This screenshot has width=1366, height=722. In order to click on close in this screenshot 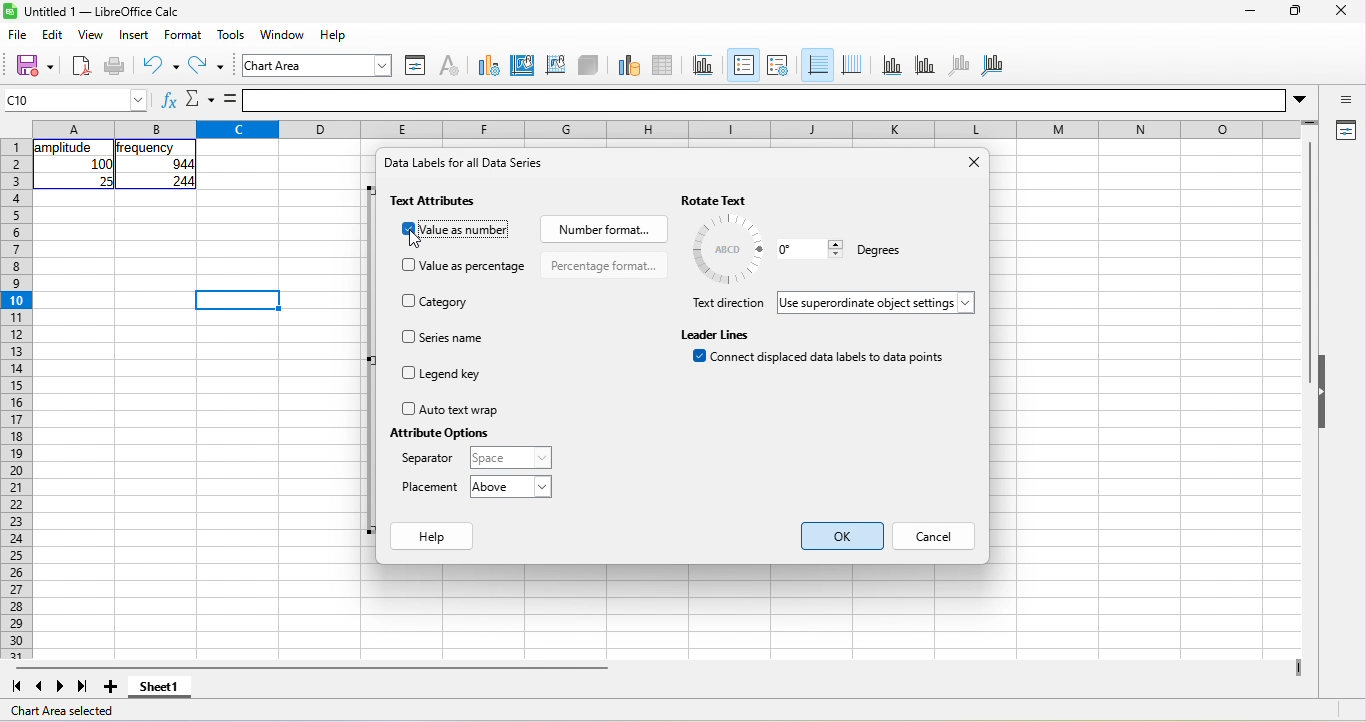, I will do `click(971, 164)`.